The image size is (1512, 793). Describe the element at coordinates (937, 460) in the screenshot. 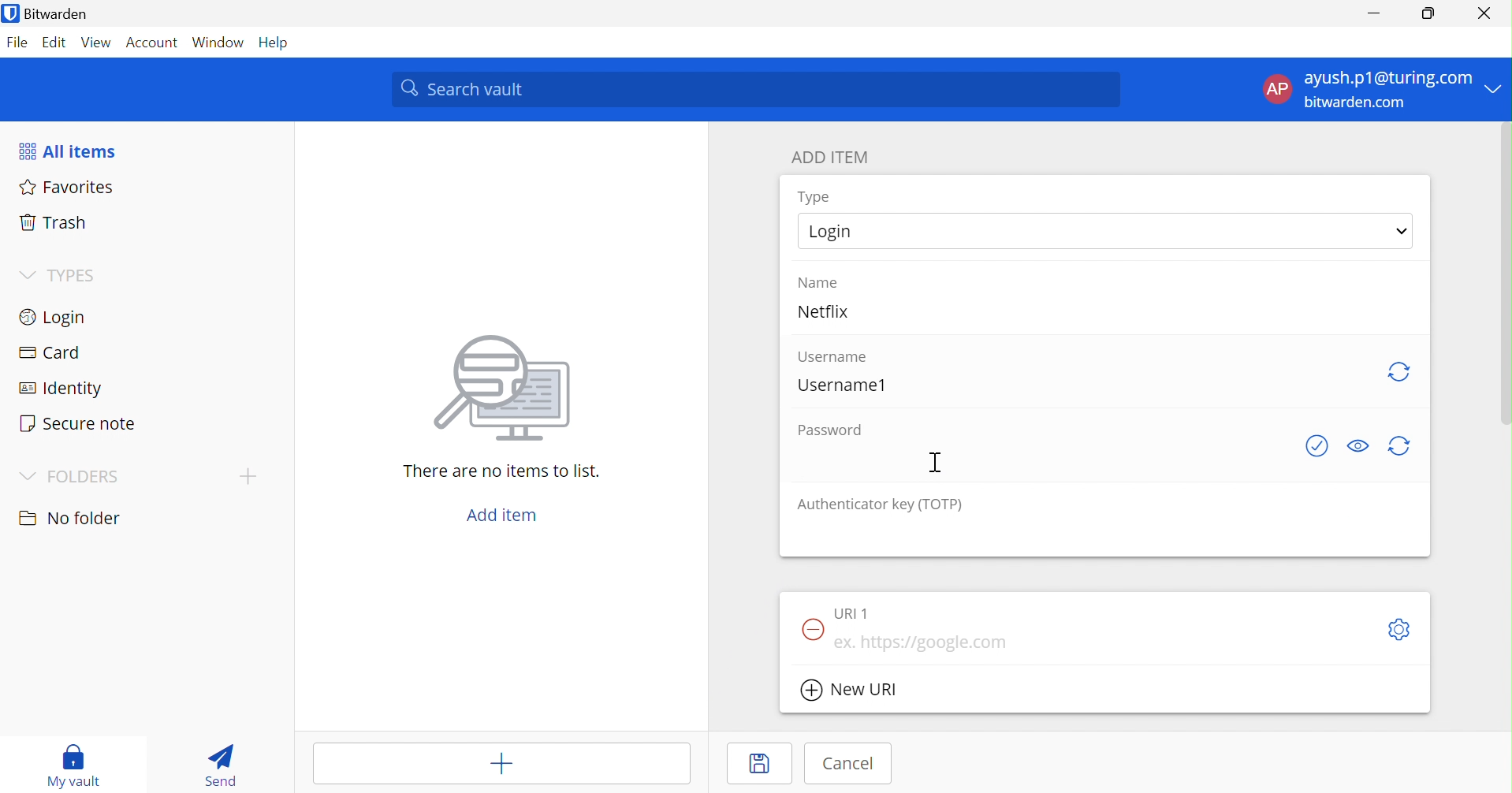

I see `Cursor` at that location.